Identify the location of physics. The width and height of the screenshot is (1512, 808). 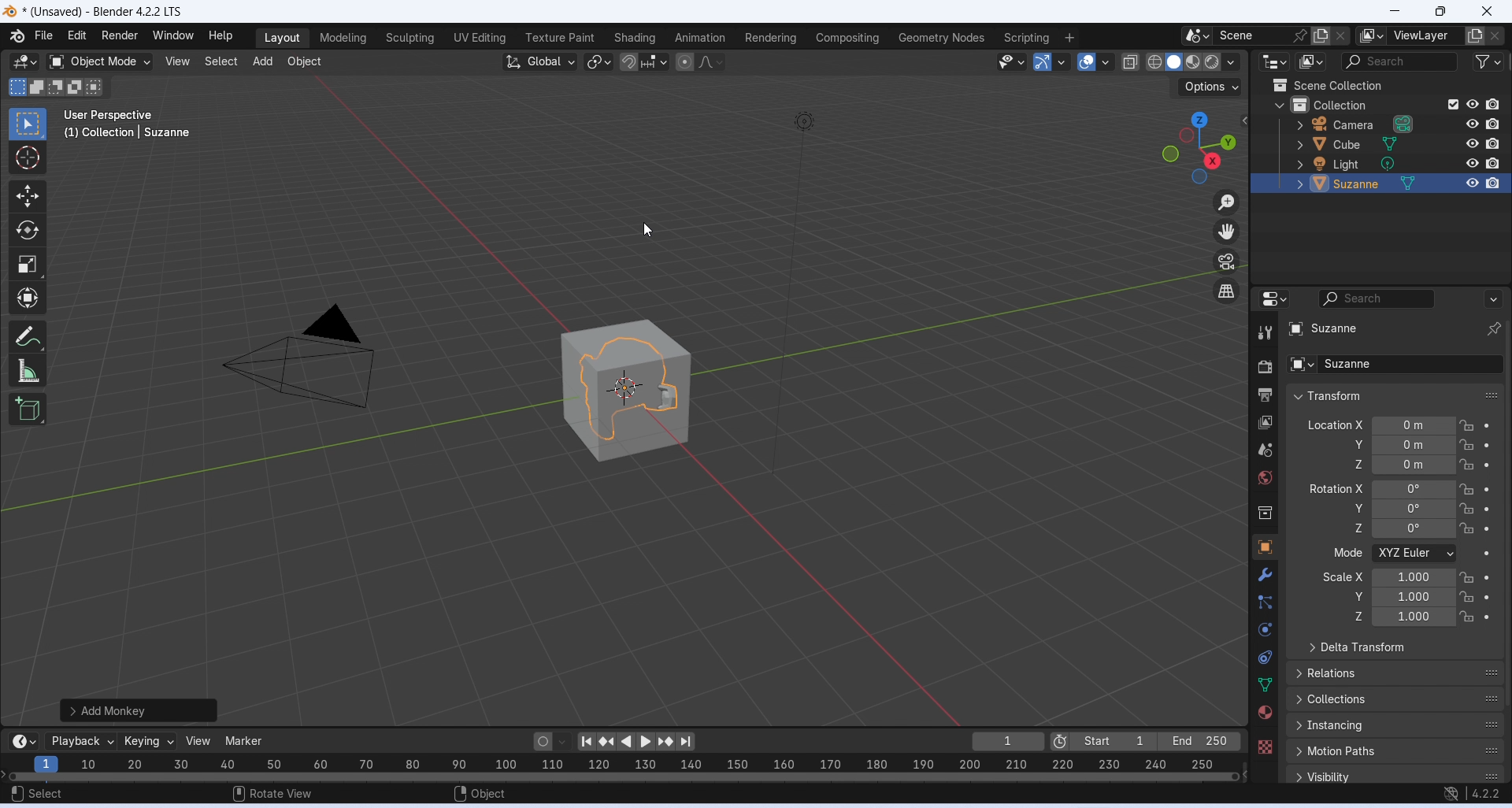
(1267, 629).